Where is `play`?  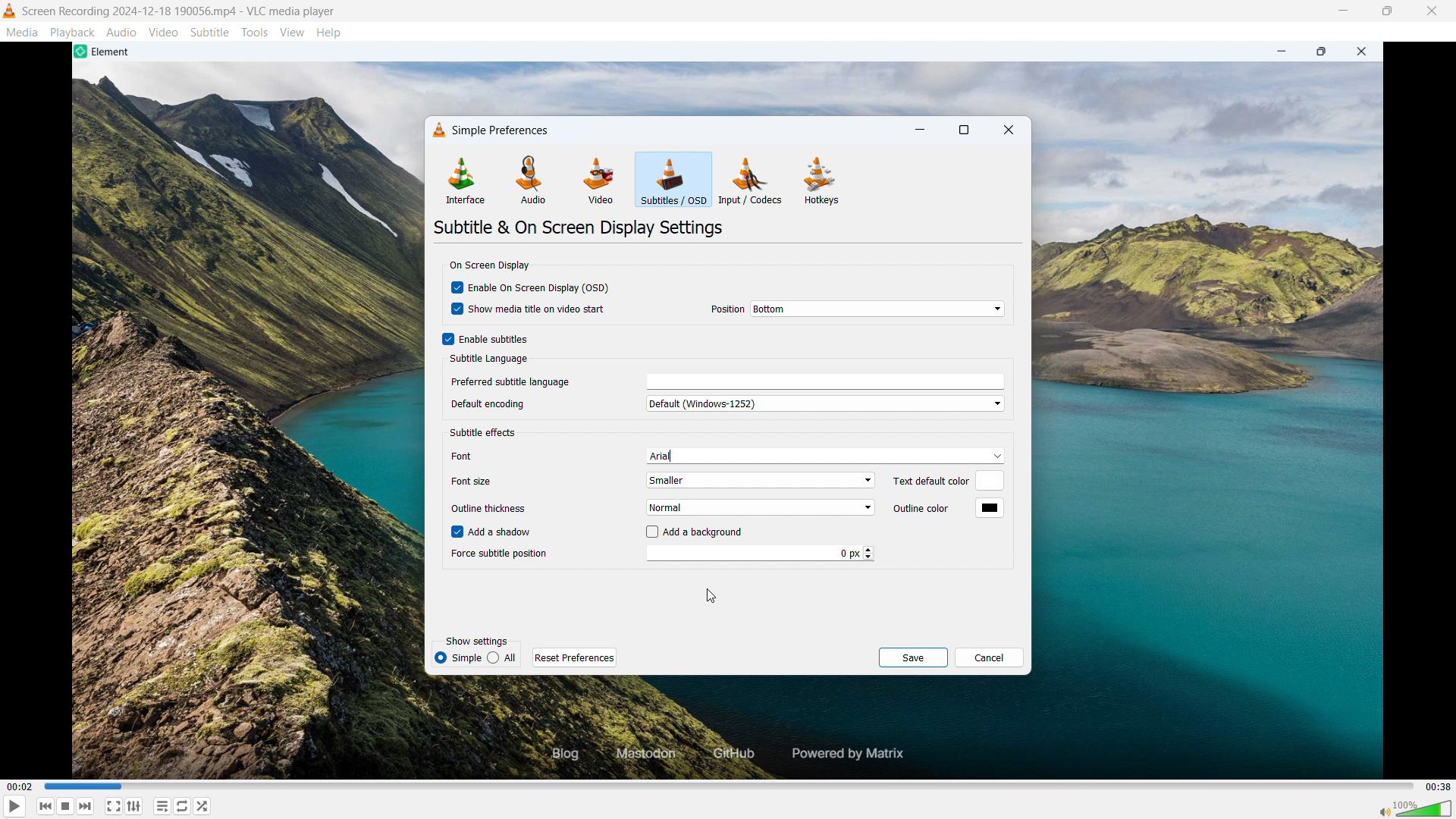 play is located at coordinates (15, 806).